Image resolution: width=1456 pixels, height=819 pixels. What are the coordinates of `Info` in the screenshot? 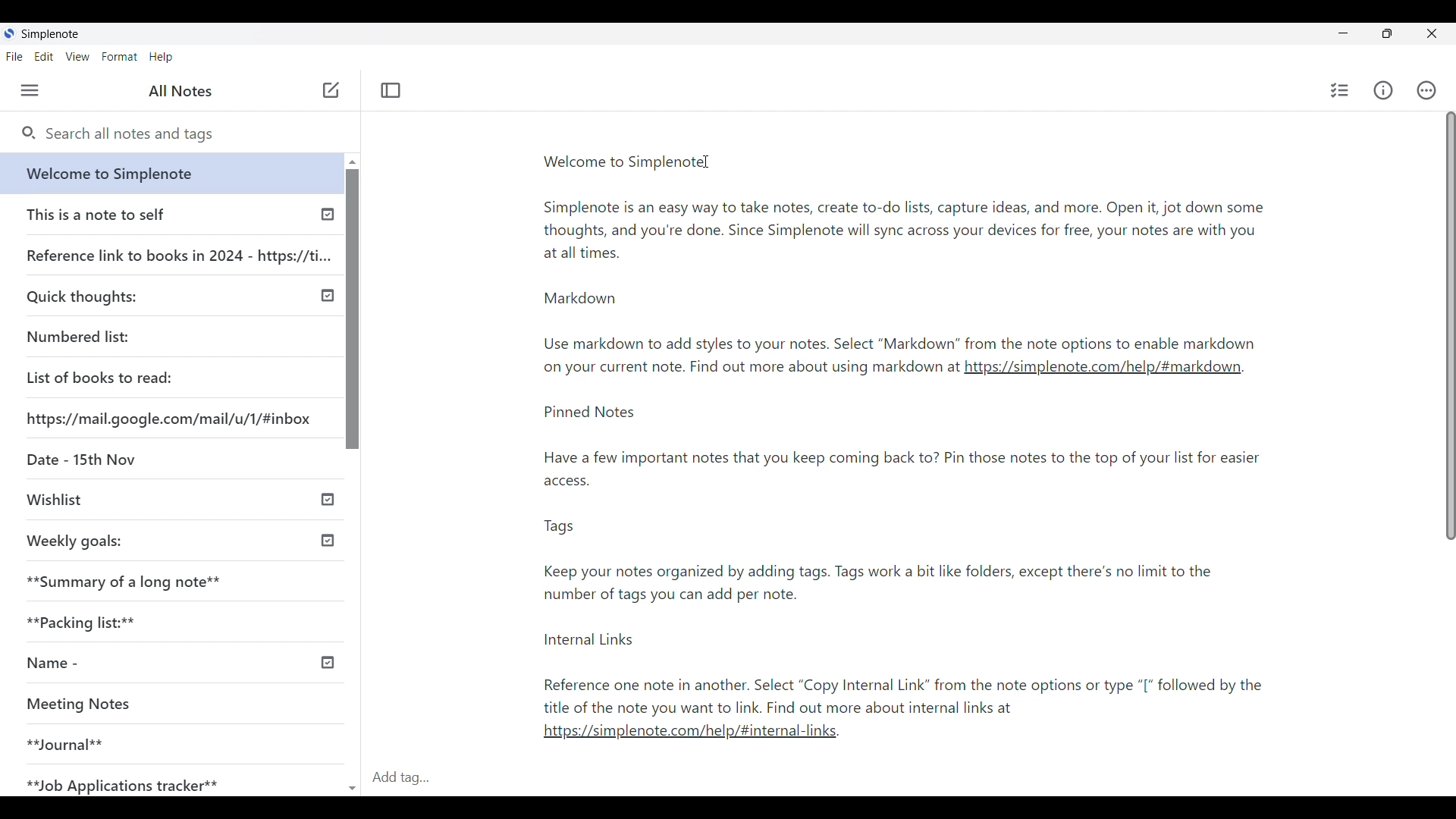 It's located at (1383, 90).